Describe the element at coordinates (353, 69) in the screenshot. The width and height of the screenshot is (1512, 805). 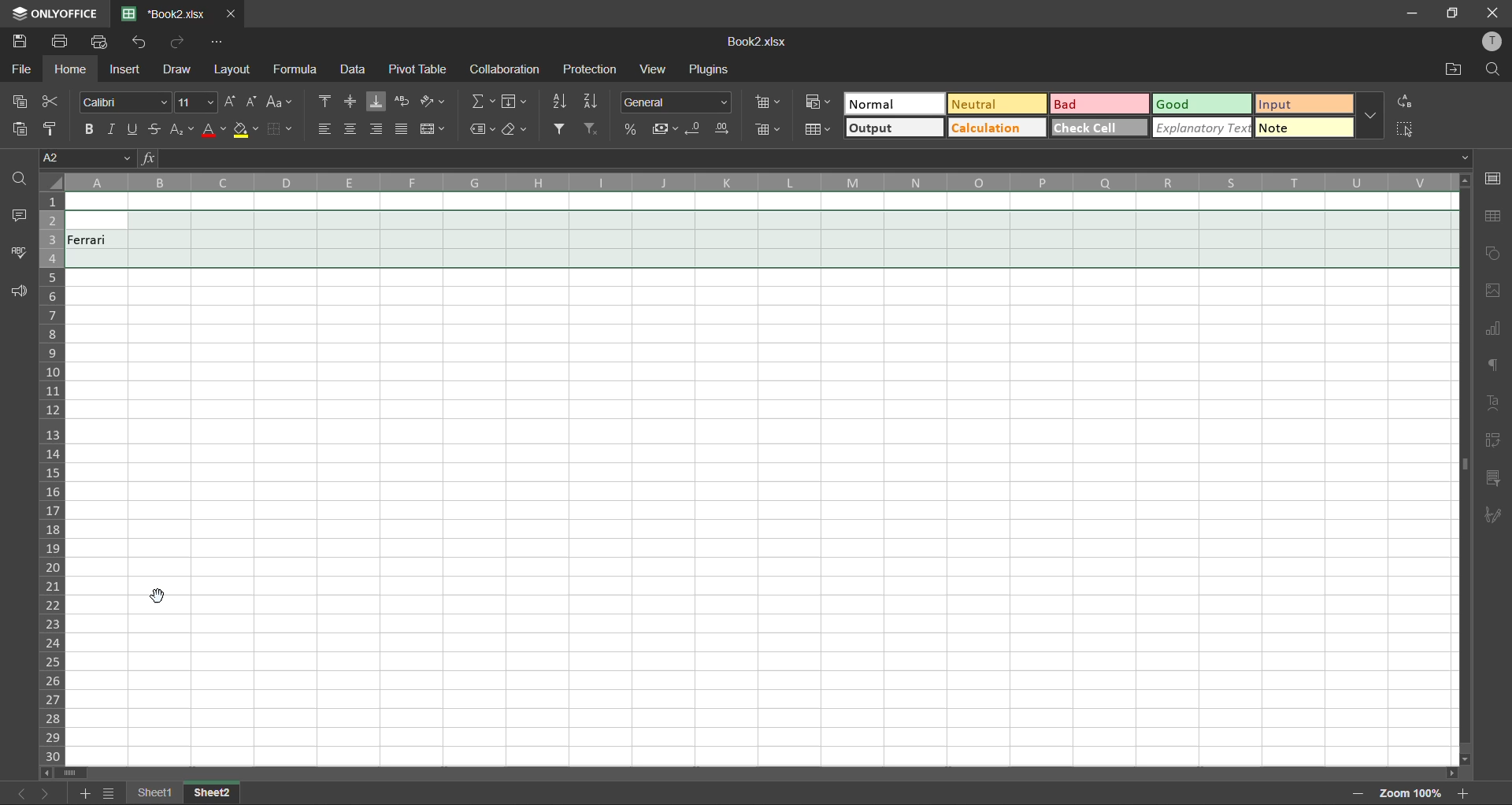
I see `data` at that location.